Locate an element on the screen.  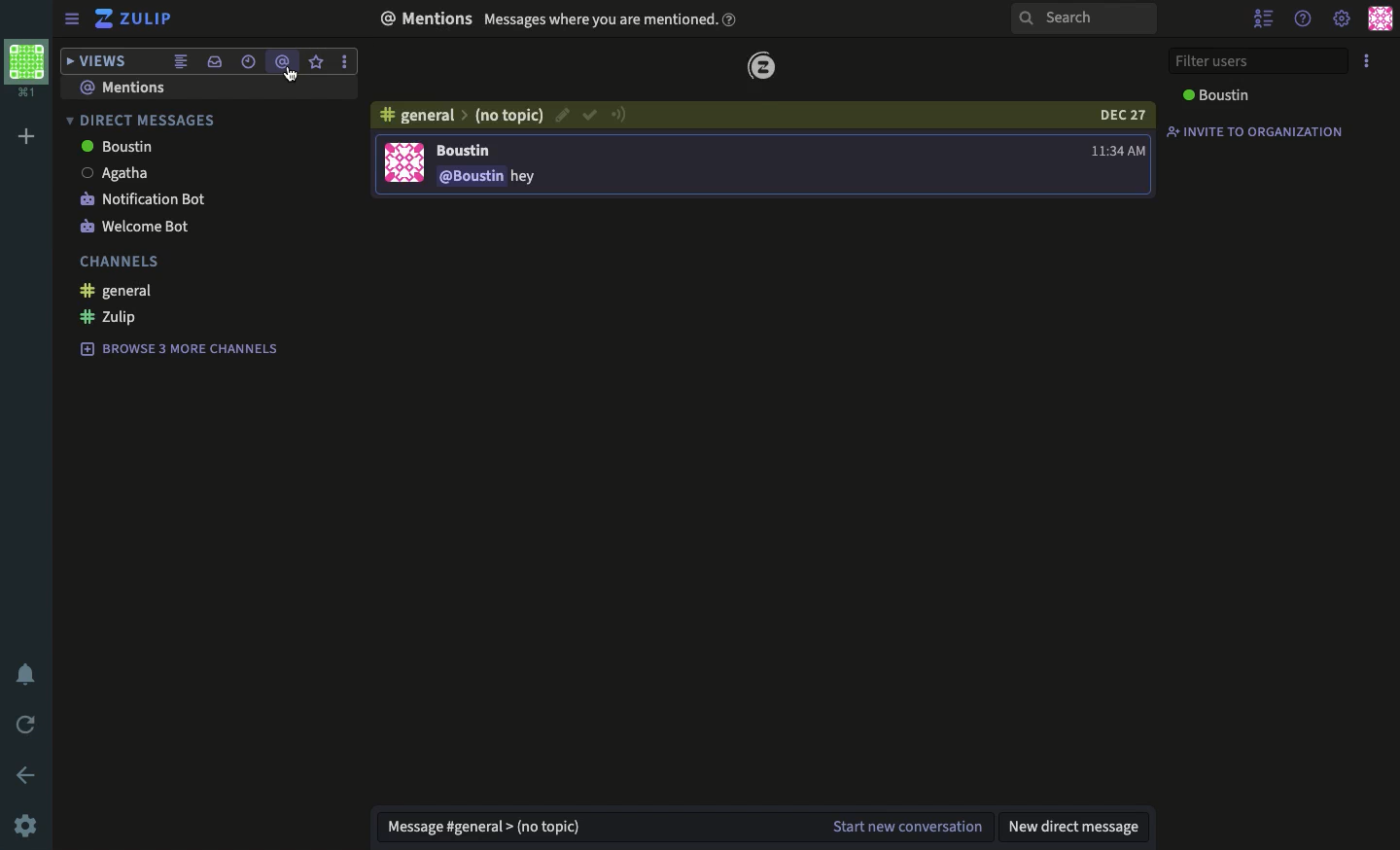
notification bot is located at coordinates (144, 199).